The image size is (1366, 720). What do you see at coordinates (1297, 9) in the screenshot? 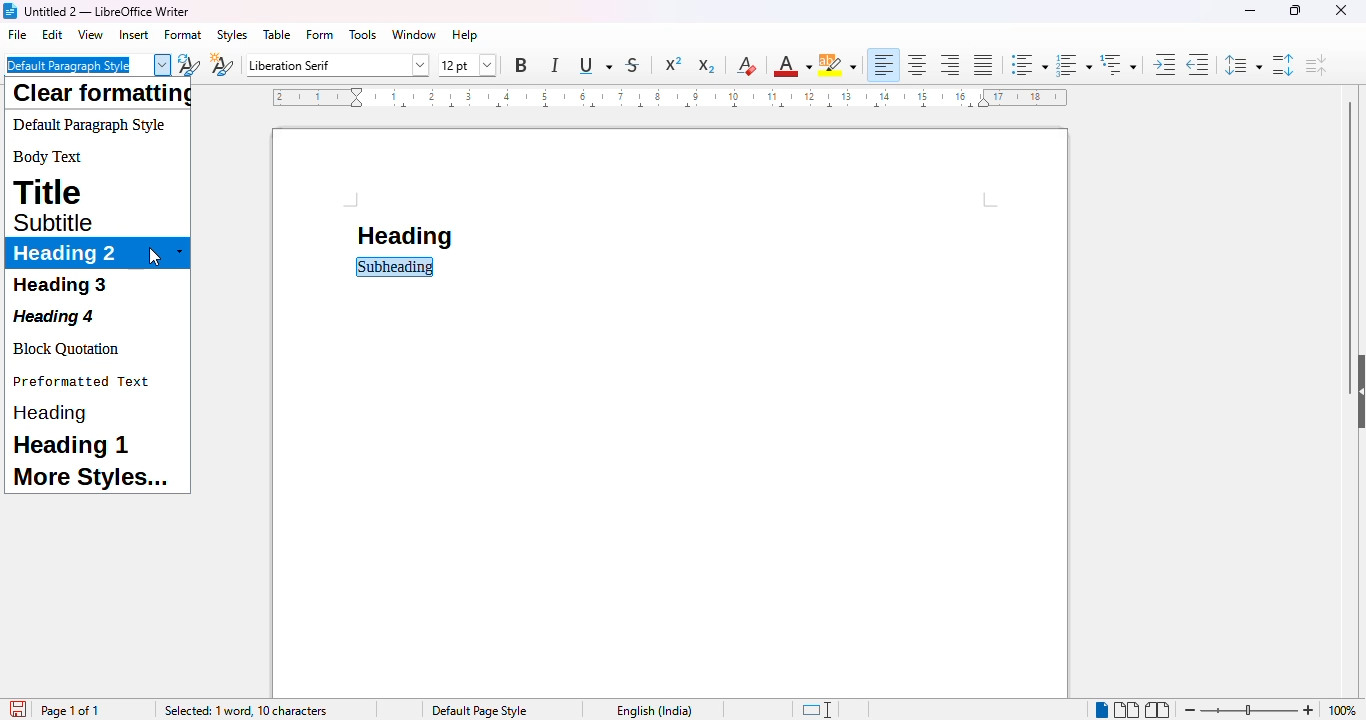
I see `maximize` at bounding box center [1297, 9].